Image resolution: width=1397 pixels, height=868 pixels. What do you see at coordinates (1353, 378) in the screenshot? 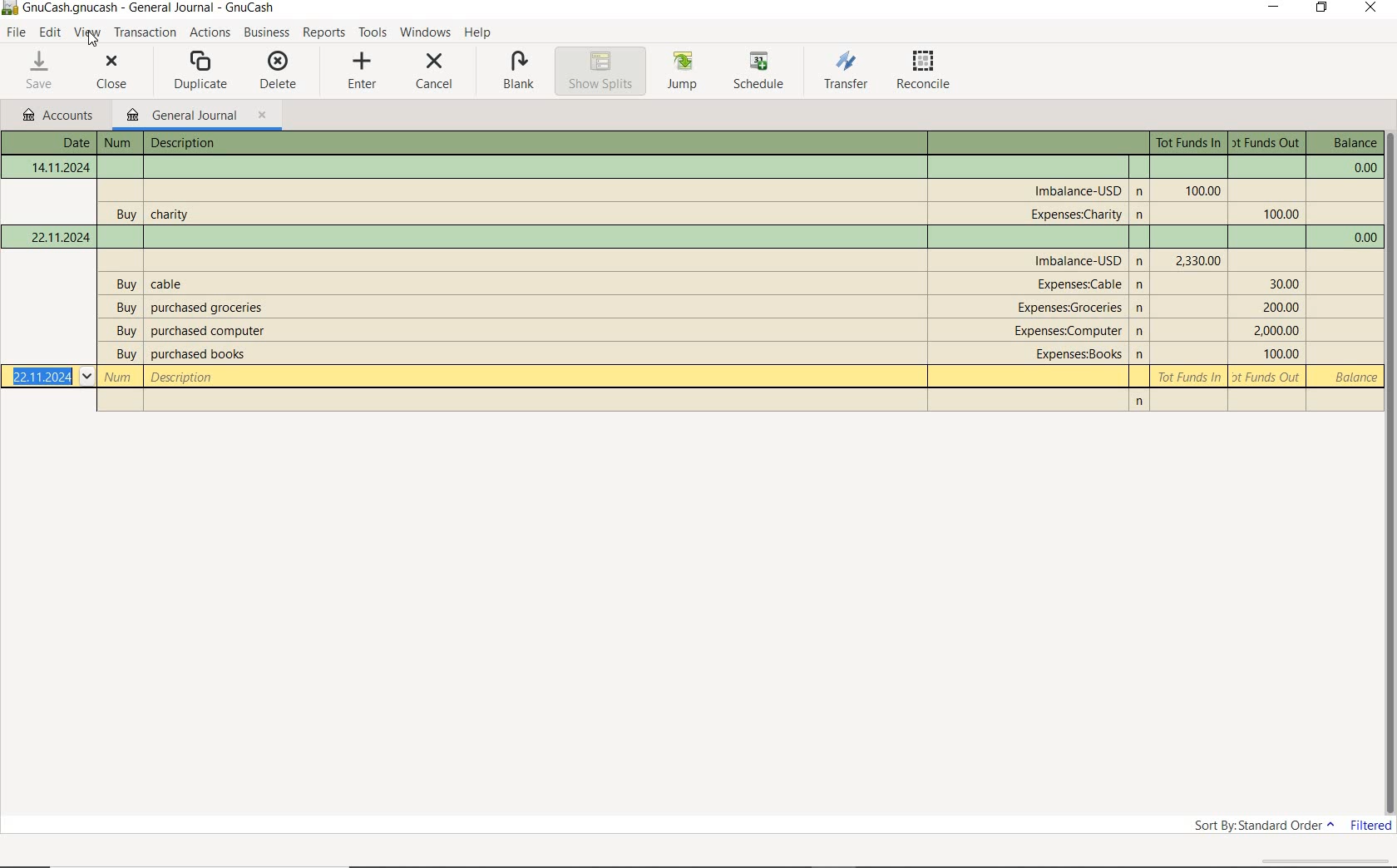
I see `balance` at bounding box center [1353, 378].